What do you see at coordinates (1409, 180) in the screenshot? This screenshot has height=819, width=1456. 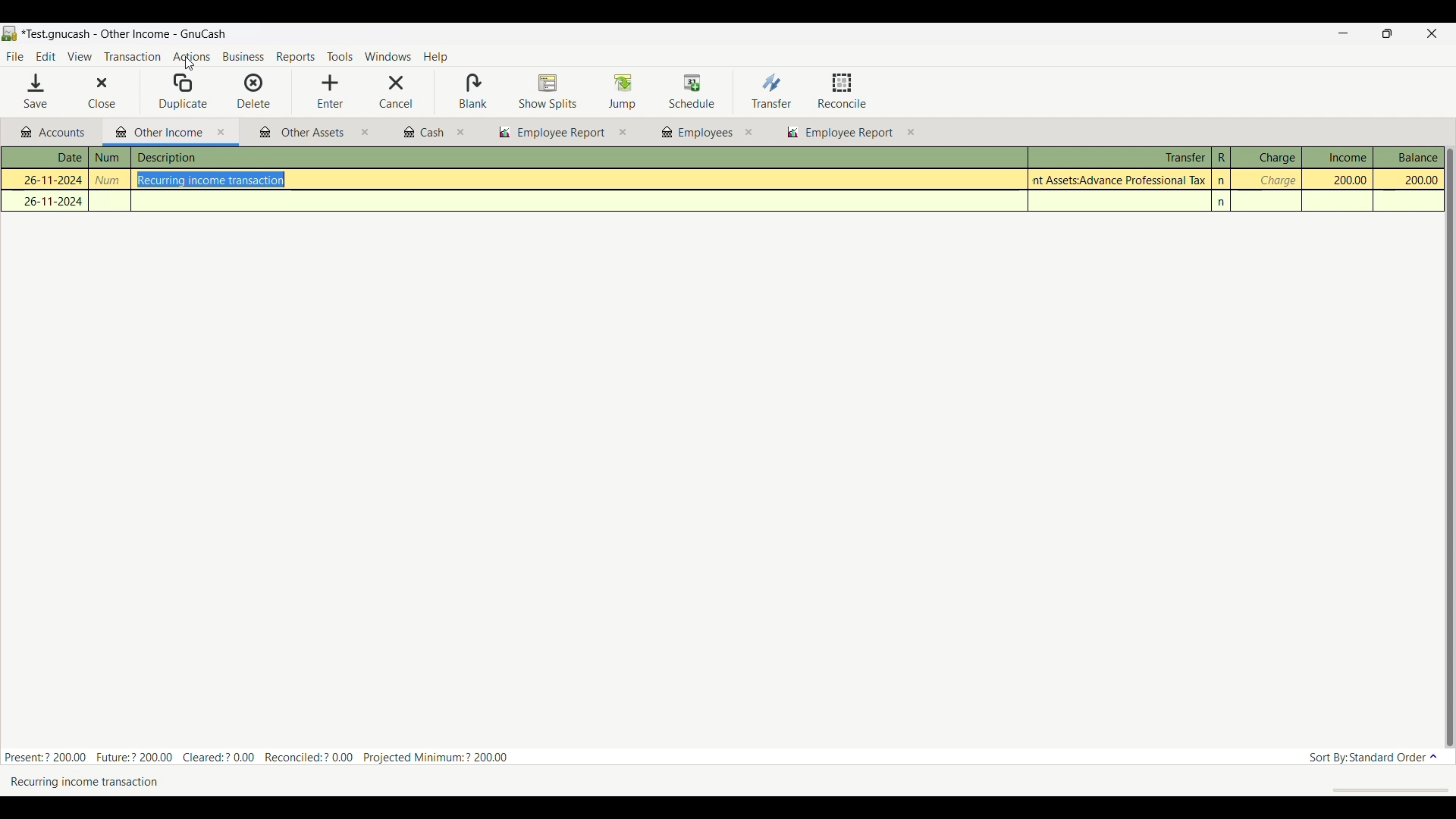 I see `200.00` at bounding box center [1409, 180].